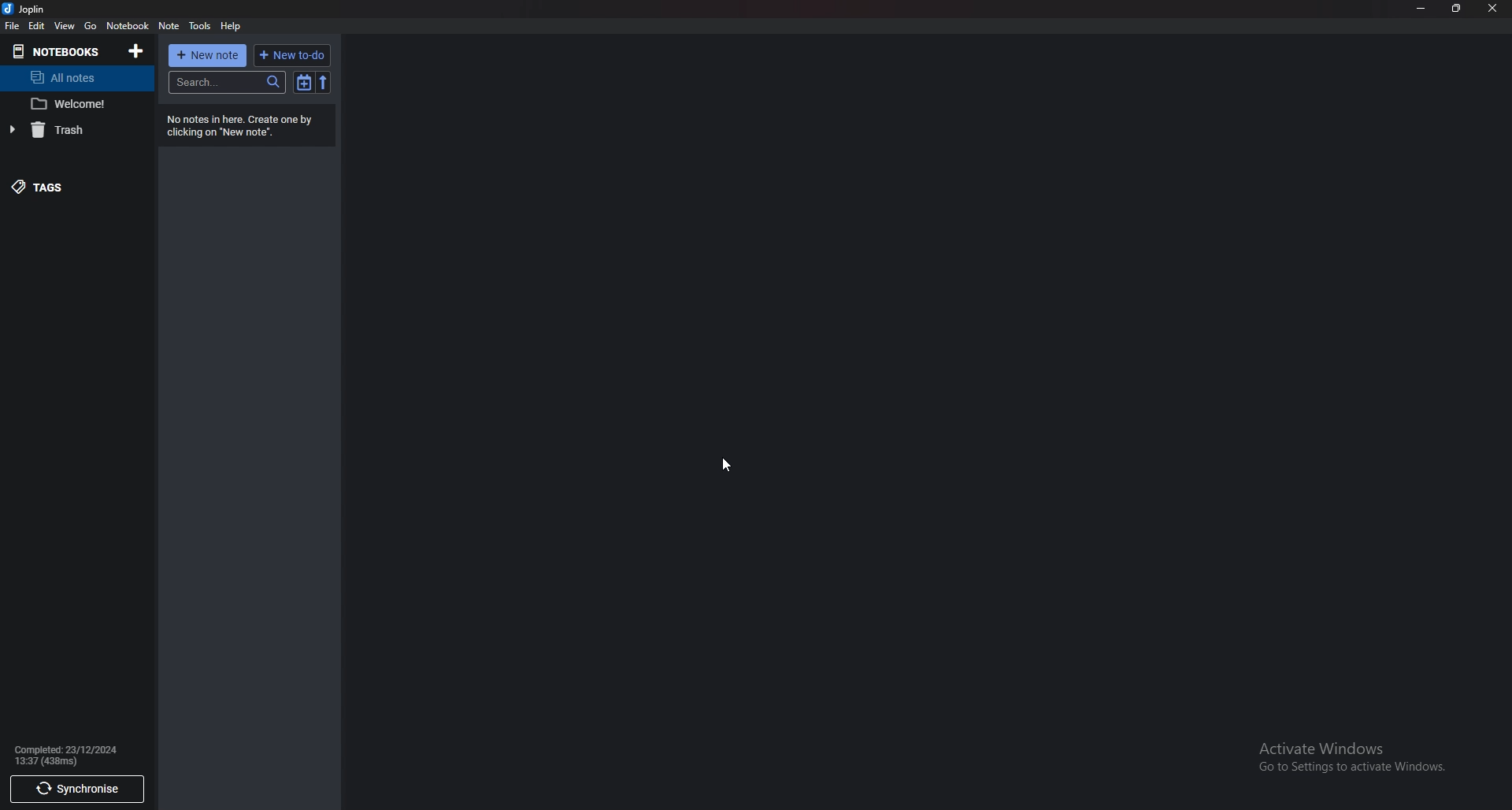 This screenshot has width=1512, height=810. I want to click on Minimize, so click(1421, 10).